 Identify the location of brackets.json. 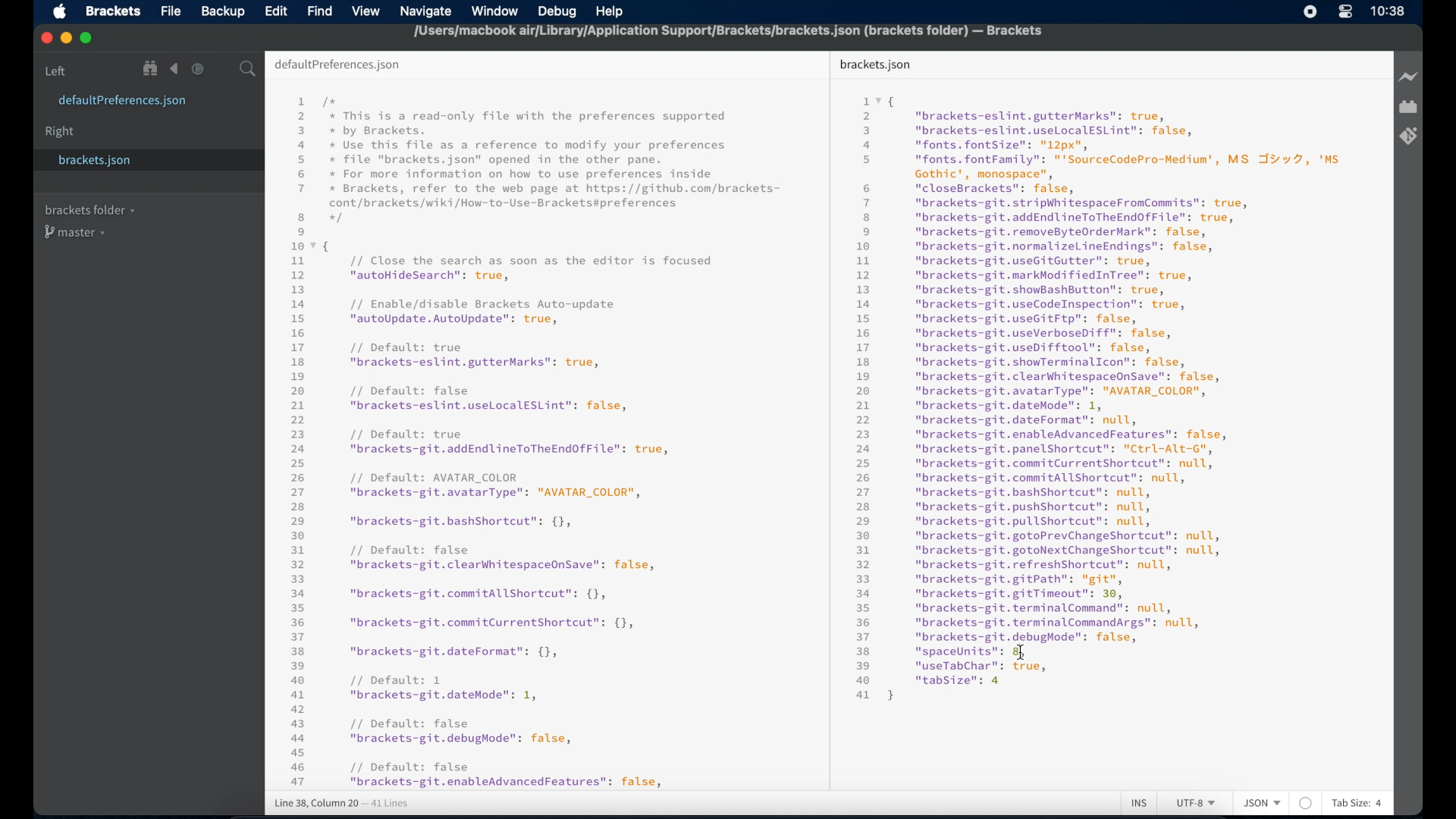
(96, 161).